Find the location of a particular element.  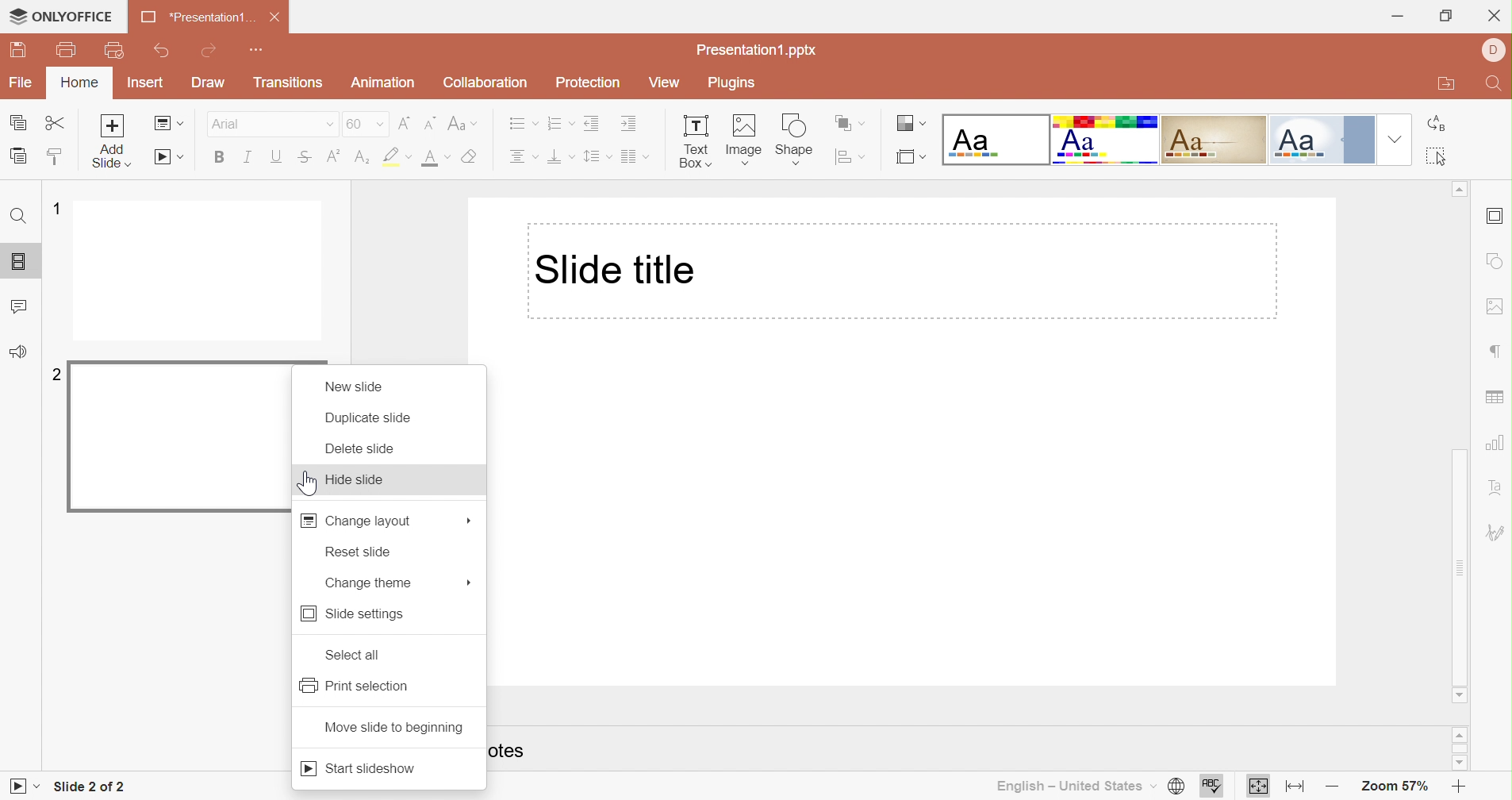

Strikethrough is located at coordinates (305, 158).